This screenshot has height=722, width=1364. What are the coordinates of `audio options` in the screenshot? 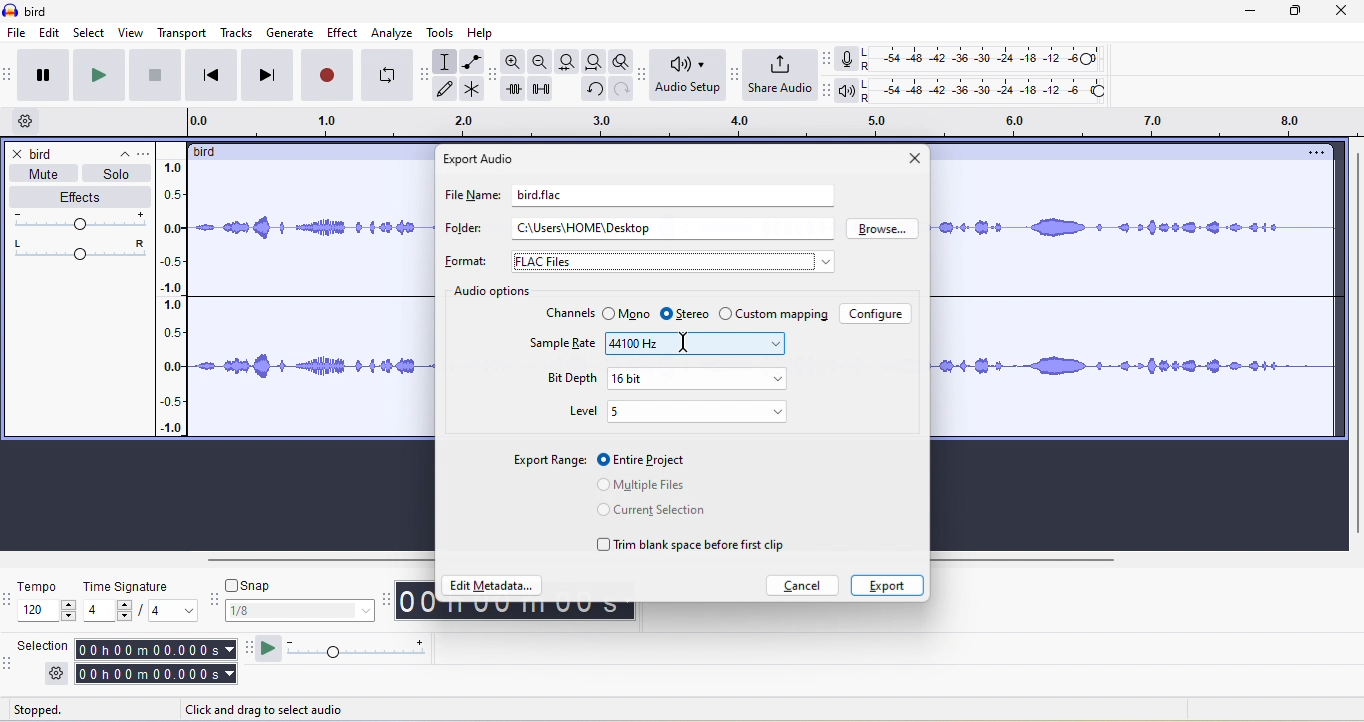 It's located at (489, 291).